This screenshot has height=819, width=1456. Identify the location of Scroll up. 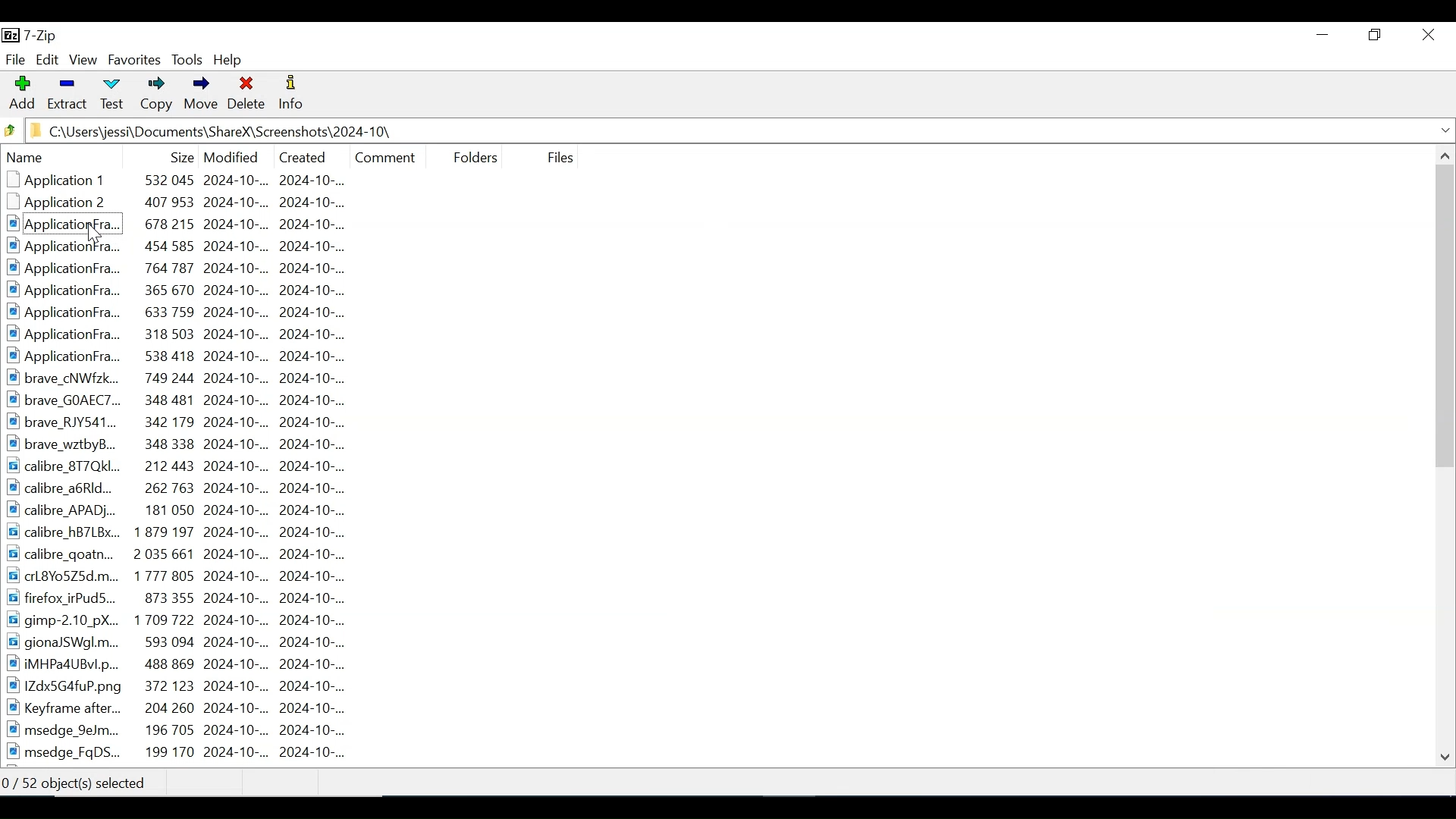
(1446, 155).